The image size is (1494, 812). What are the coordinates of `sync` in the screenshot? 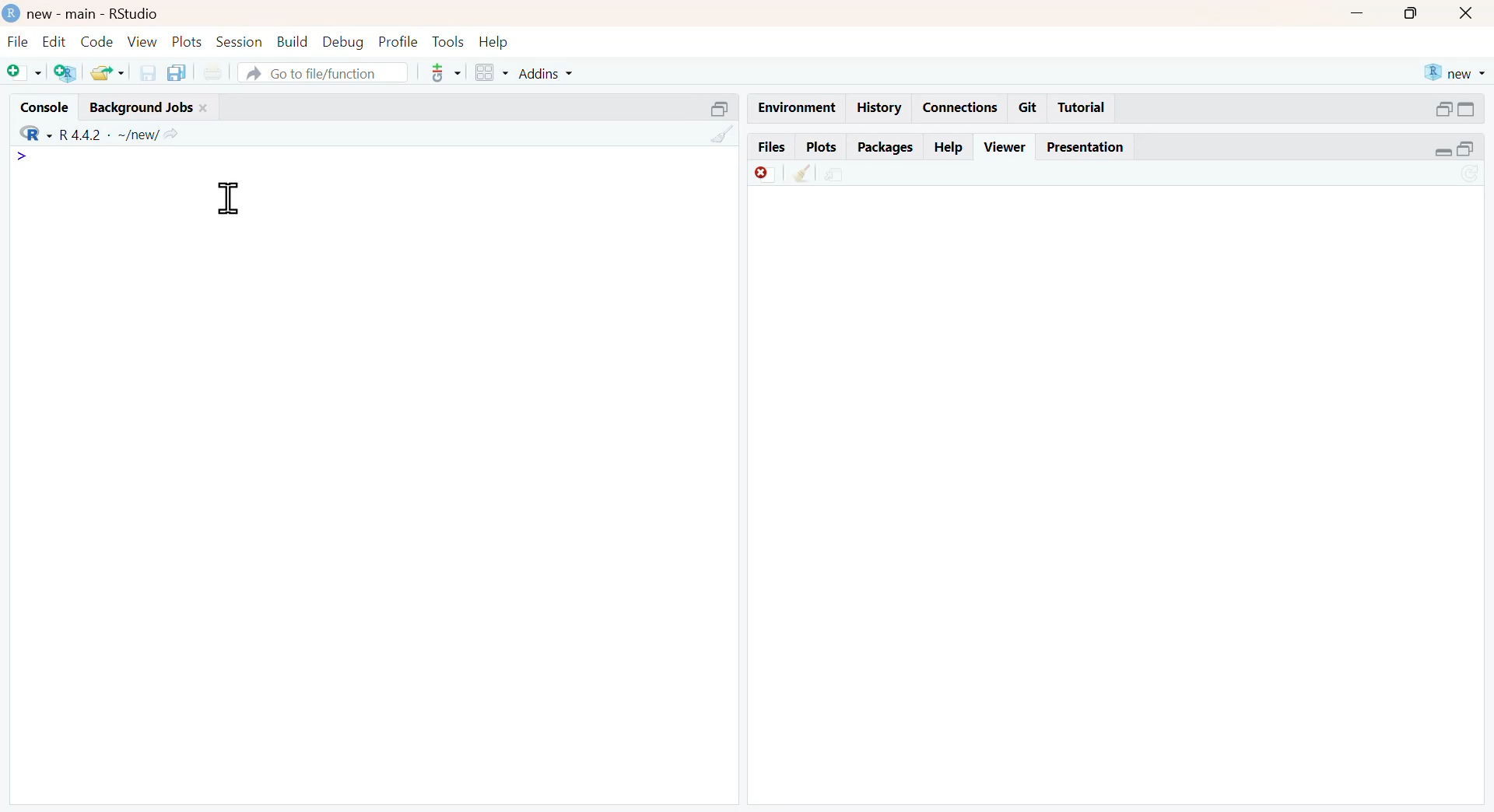 It's located at (1471, 176).